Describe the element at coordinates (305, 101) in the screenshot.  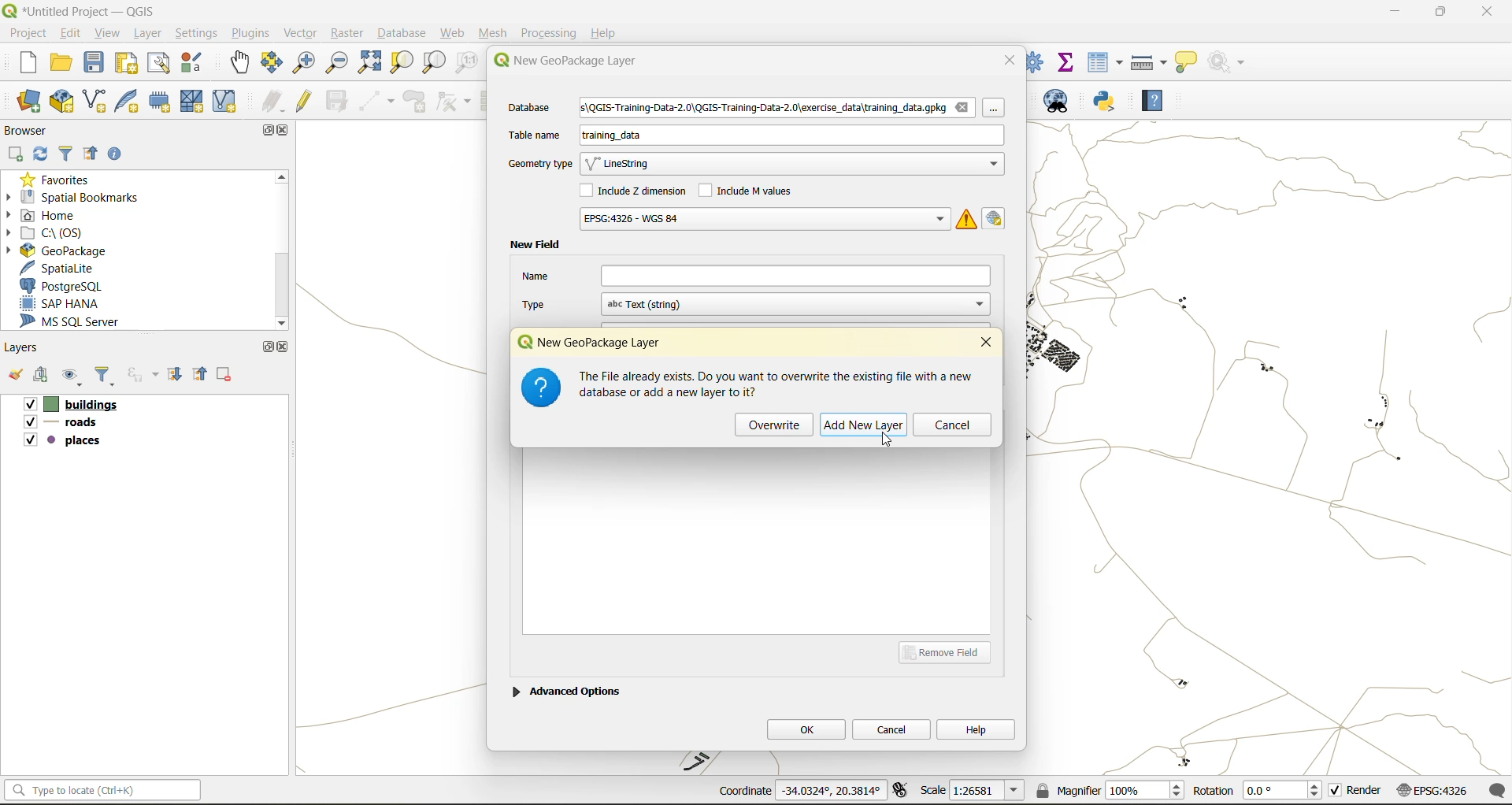
I see `toggle edits` at that location.